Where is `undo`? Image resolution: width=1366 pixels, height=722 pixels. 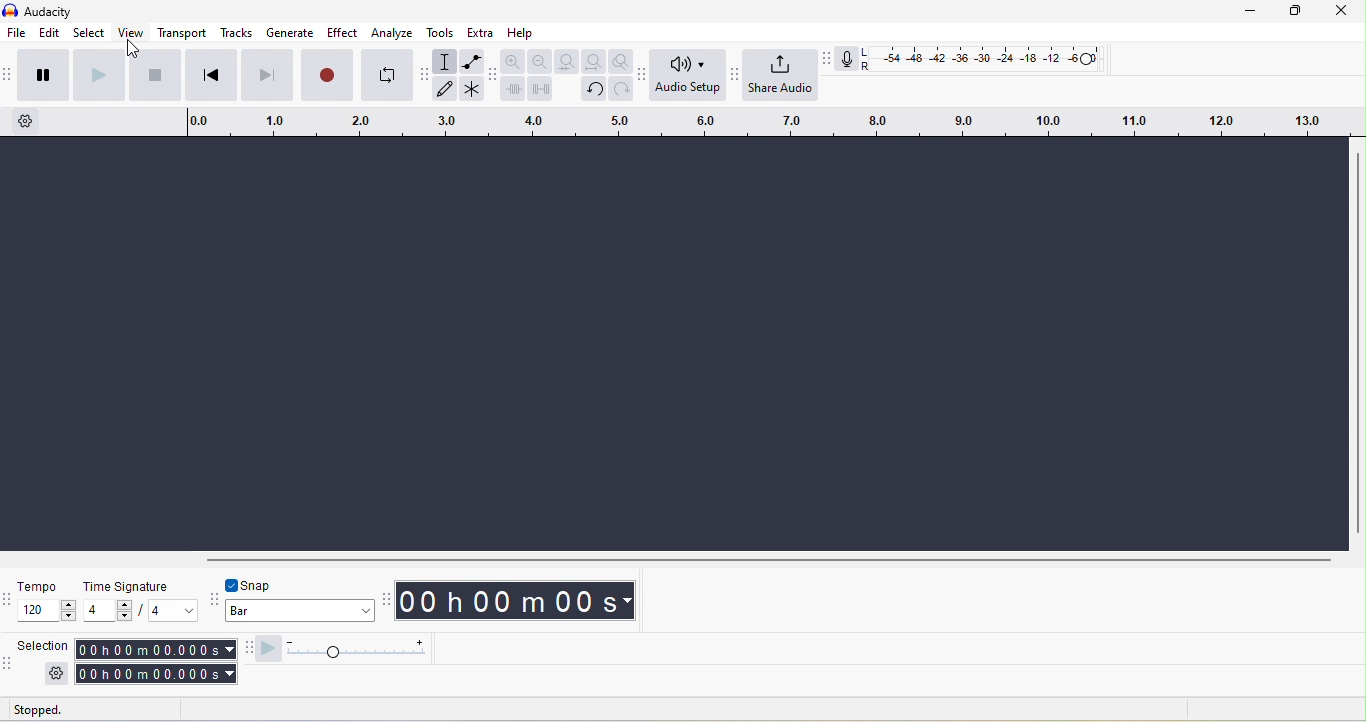 undo is located at coordinates (594, 90).